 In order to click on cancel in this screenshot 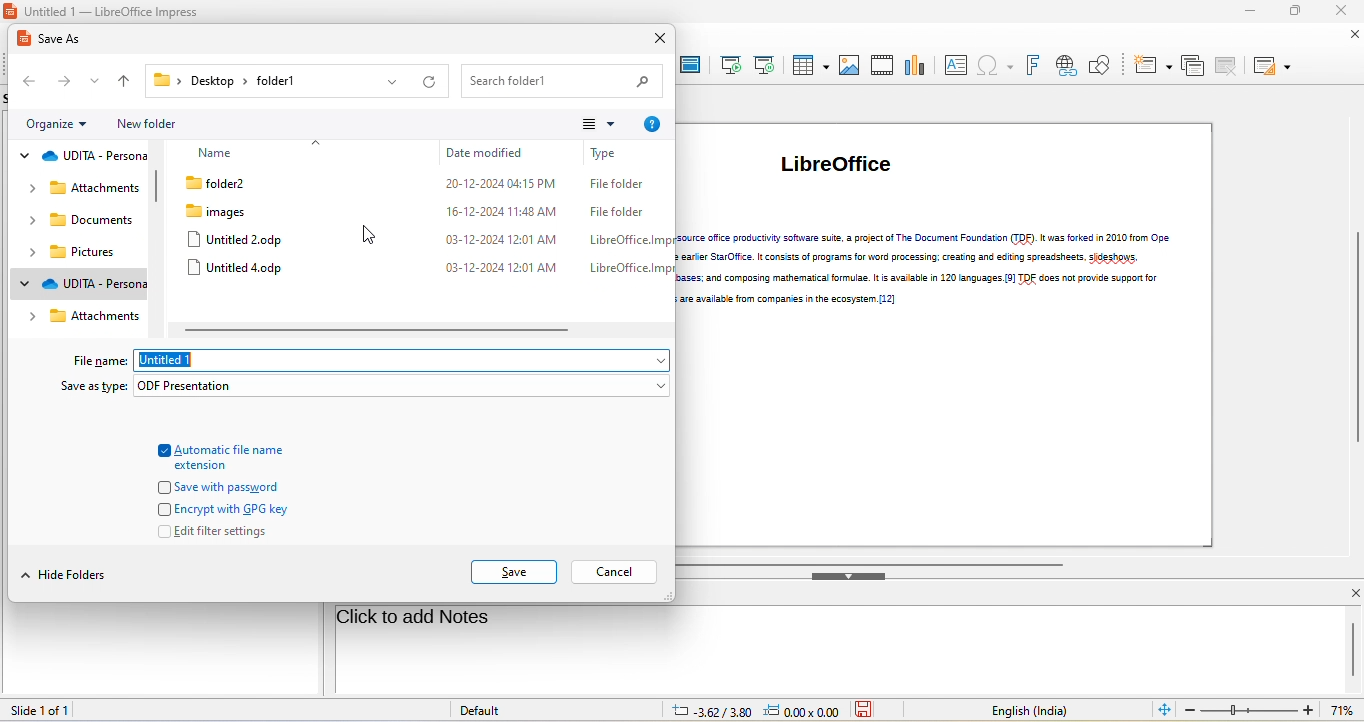, I will do `click(615, 572)`.